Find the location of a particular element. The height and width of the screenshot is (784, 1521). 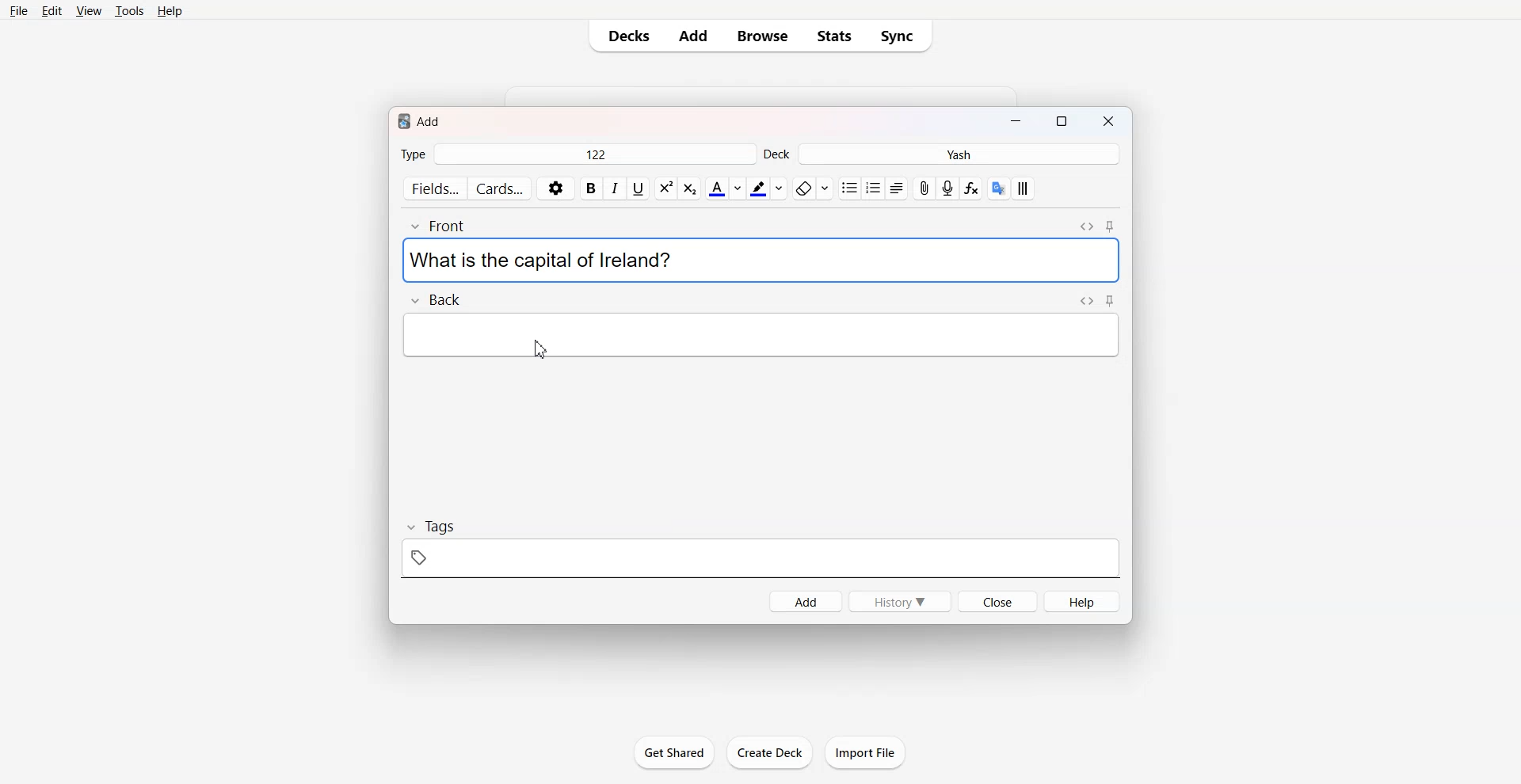

Type is located at coordinates (577, 155).